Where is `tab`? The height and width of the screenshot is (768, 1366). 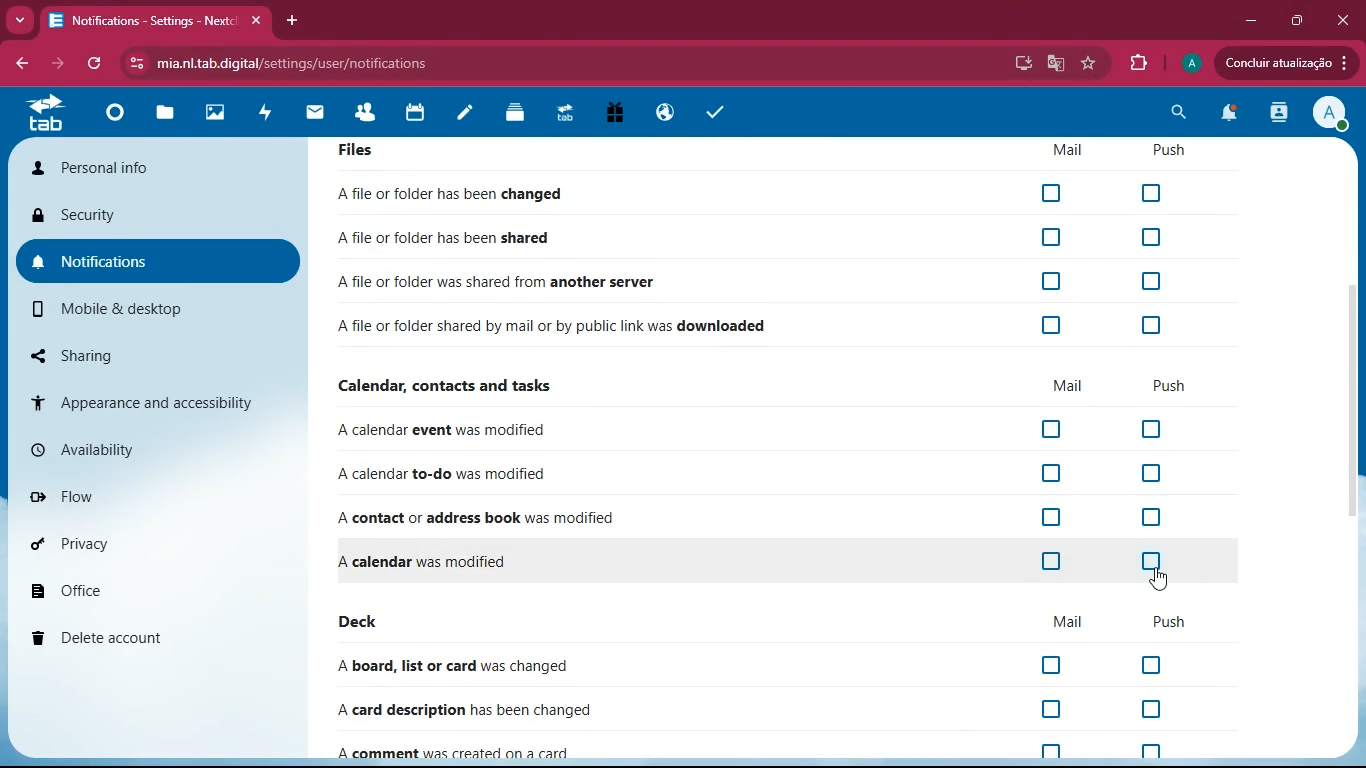
tab is located at coordinates (47, 116).